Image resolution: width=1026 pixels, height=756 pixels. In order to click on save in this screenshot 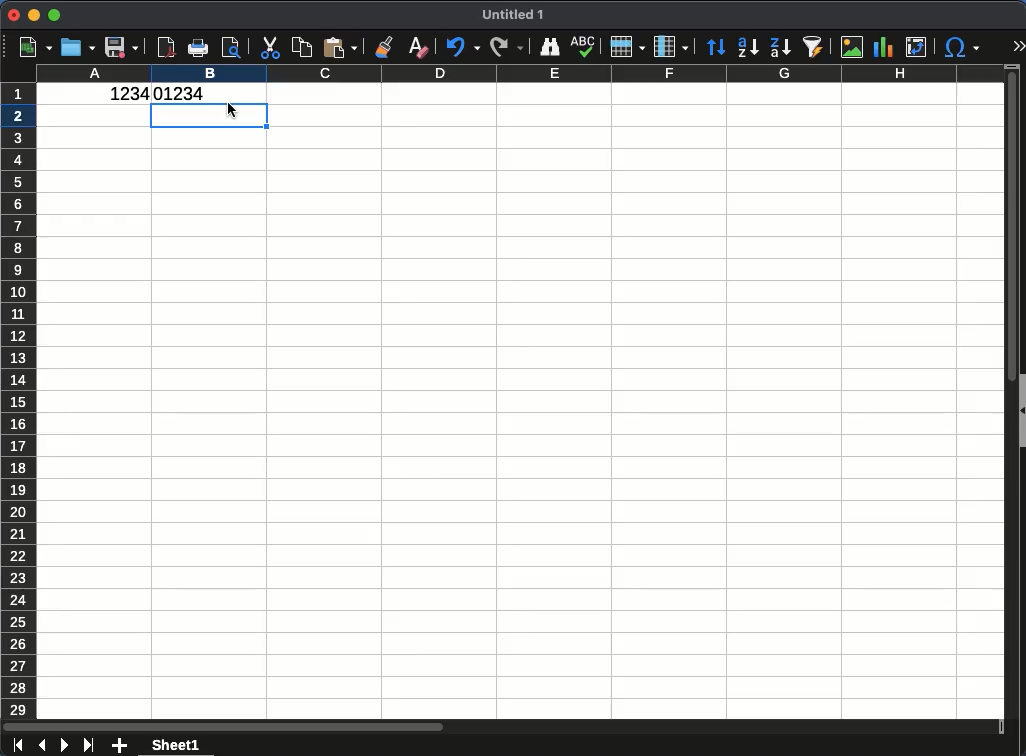, I will do `click(122, 47)`.